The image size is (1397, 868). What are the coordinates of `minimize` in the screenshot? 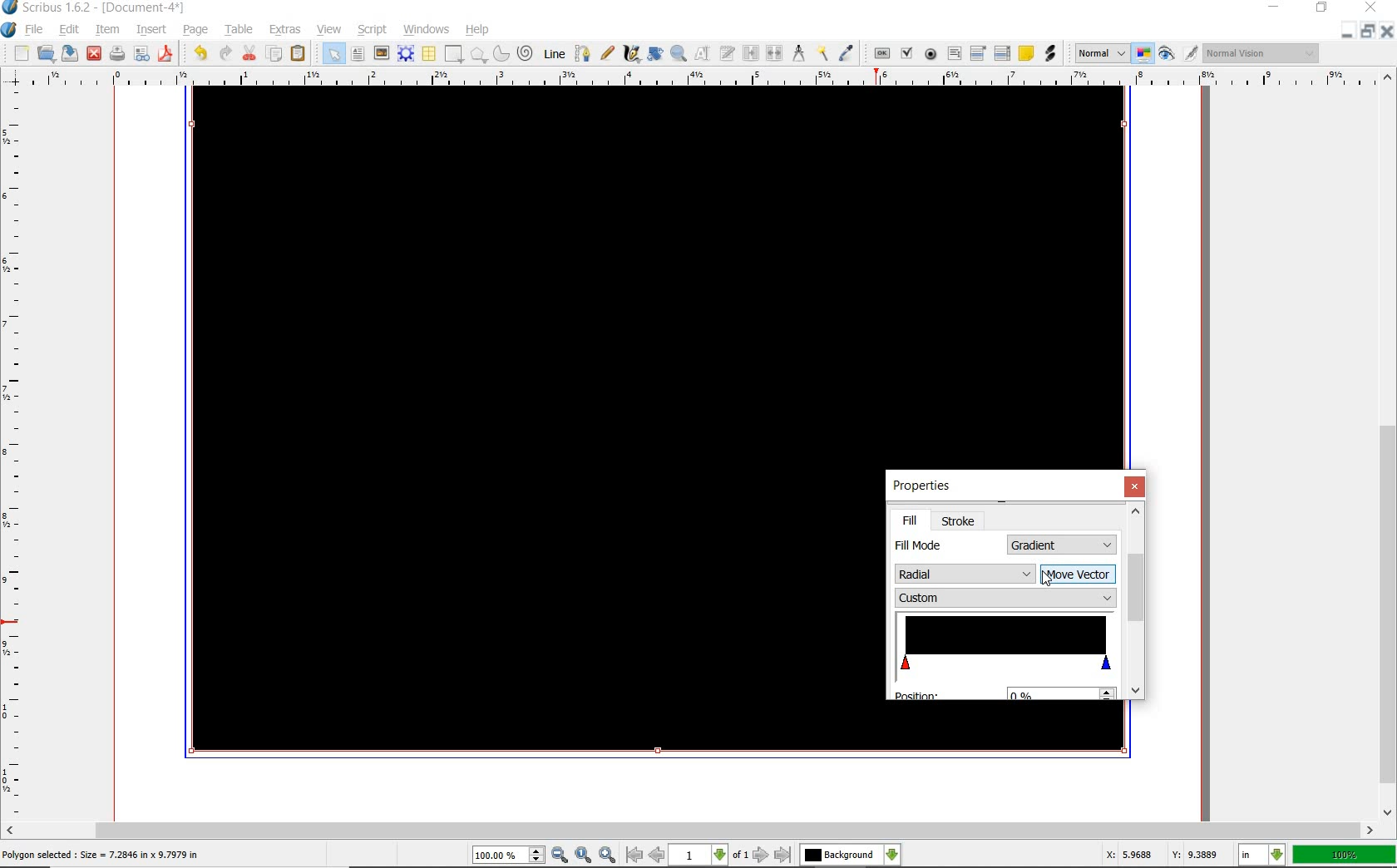 It's located at (1350, 32).